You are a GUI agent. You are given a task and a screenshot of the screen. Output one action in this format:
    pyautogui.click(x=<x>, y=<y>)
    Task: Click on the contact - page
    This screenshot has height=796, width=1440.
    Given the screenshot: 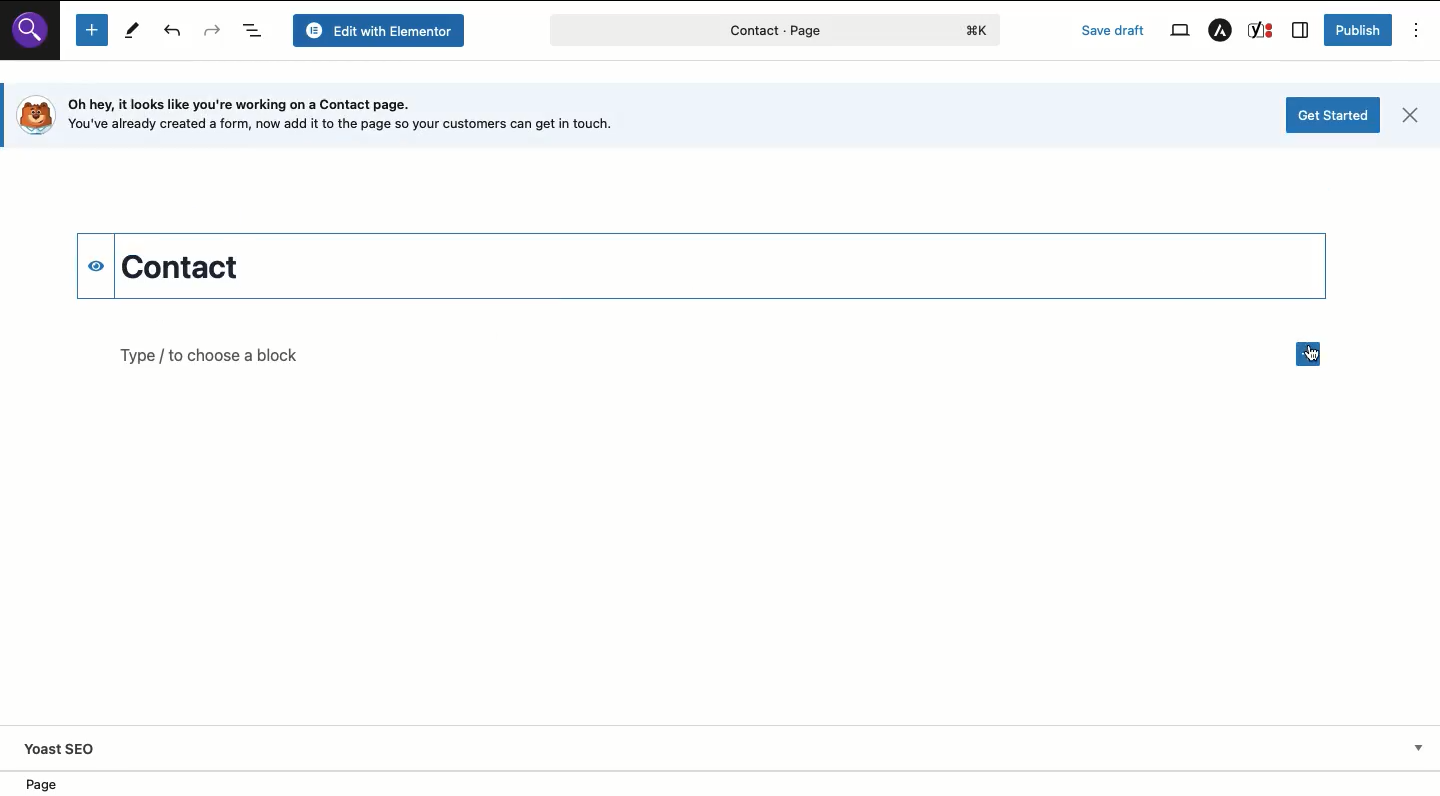 What is the action you would take?
    pyautogui.click(x=706, y=34)
    